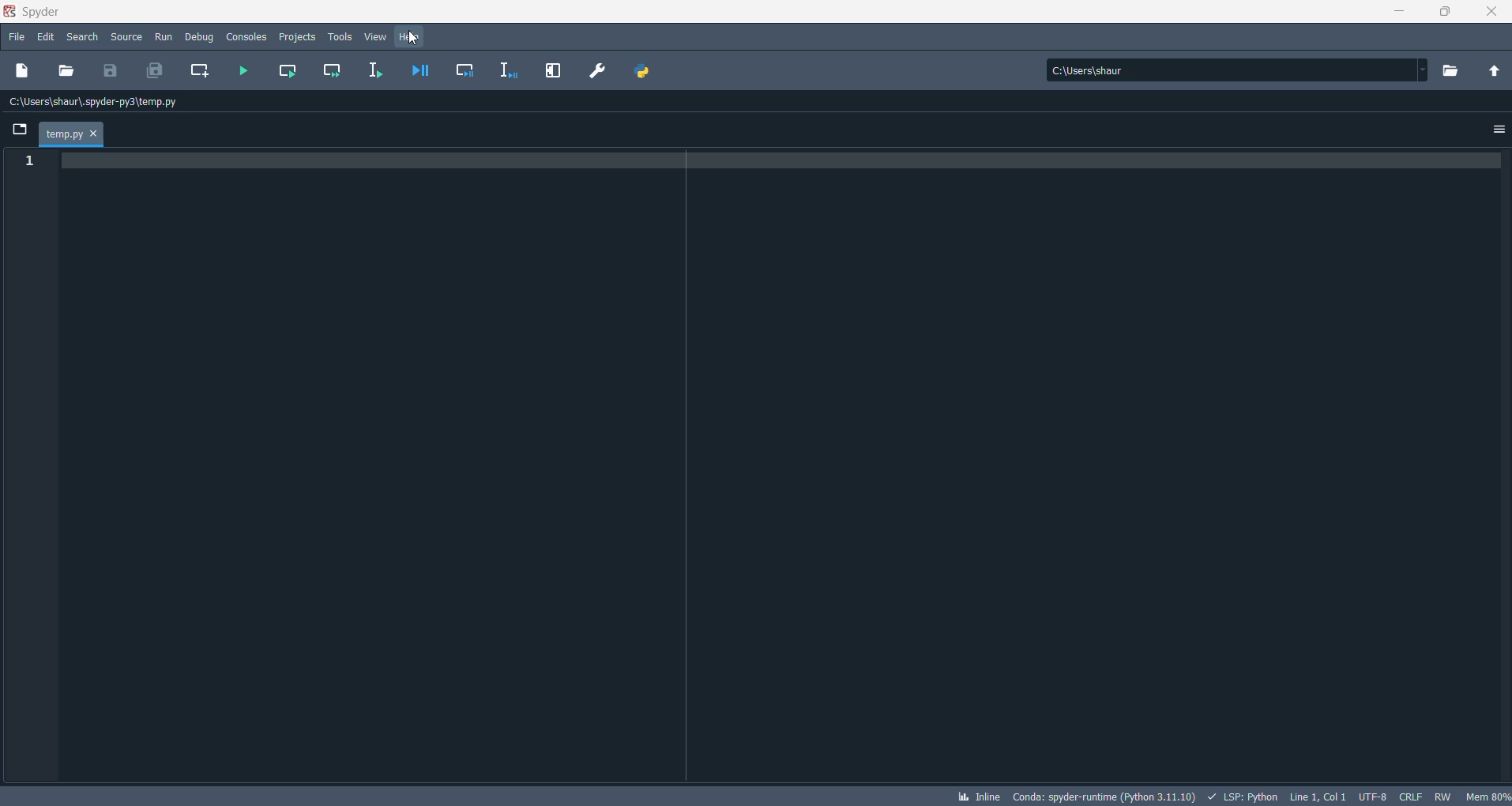 The width and height of the screenshot is (1512, 806). What do you see at coordinates (201, 71) in the screenshot?
I see `create new cell` at bounding box center [201, 71].